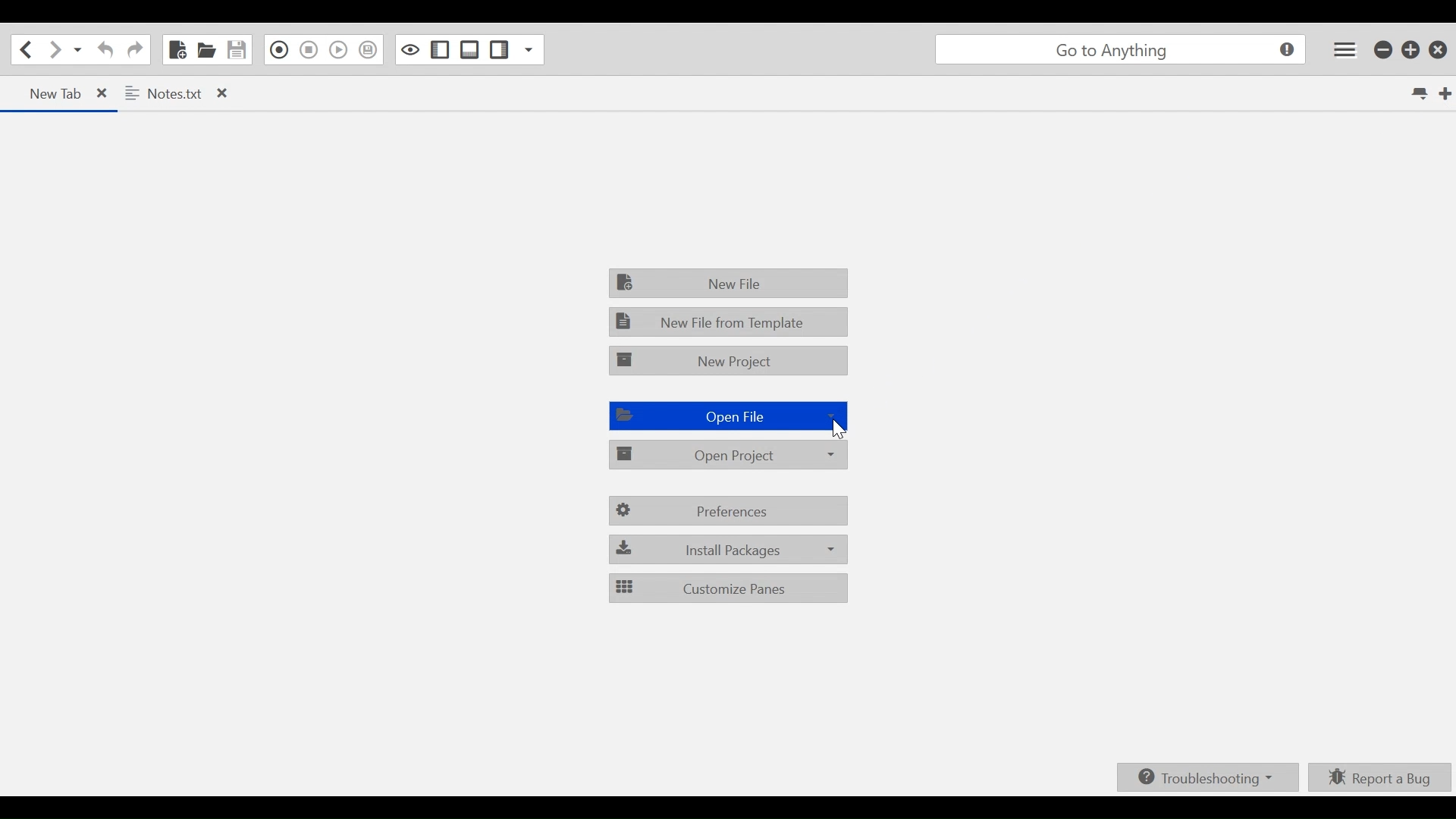  What do you see at coordinates (727, 416) in the screenshot?
I see `Open File` at bounding box center [727, 416].